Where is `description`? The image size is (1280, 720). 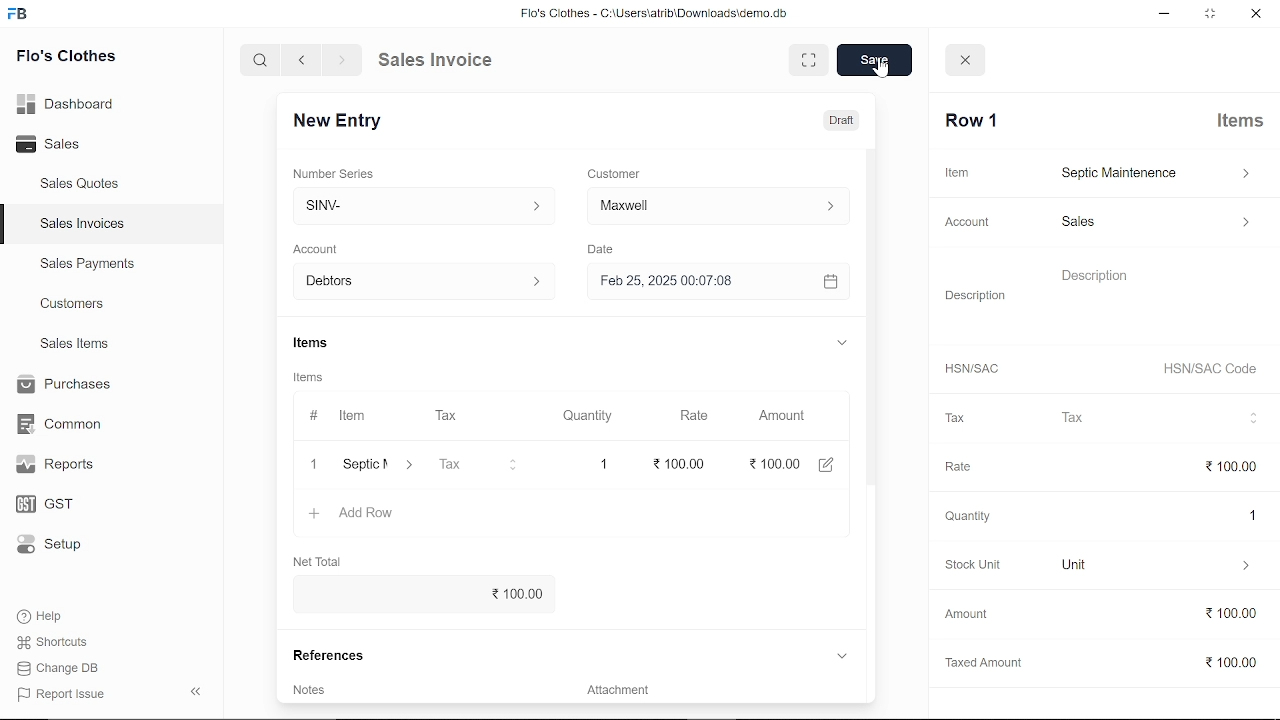
description is located at coordinates (1158, 297).